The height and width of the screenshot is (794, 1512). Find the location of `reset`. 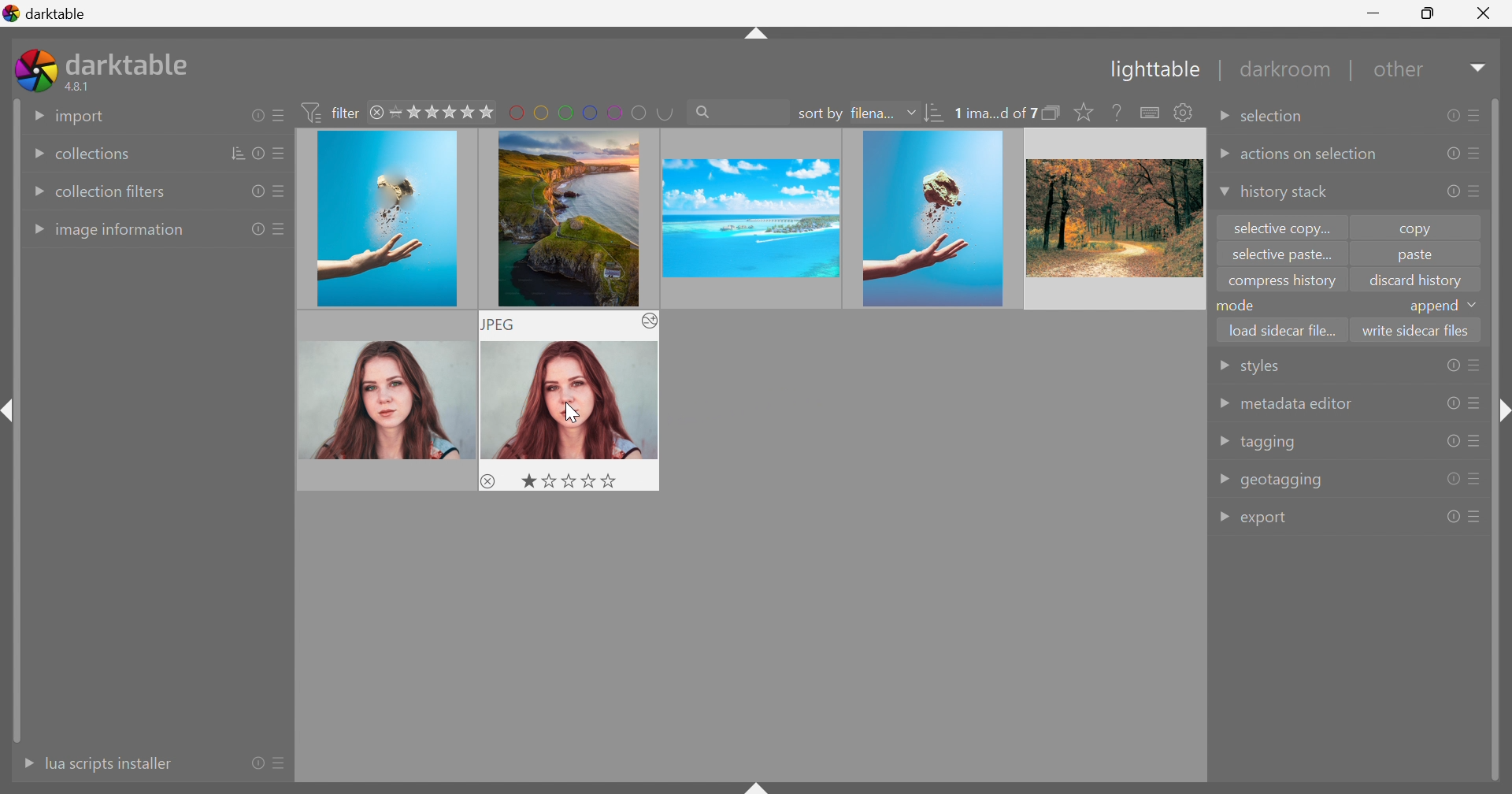

reset is located at coordinates (1451, 116).